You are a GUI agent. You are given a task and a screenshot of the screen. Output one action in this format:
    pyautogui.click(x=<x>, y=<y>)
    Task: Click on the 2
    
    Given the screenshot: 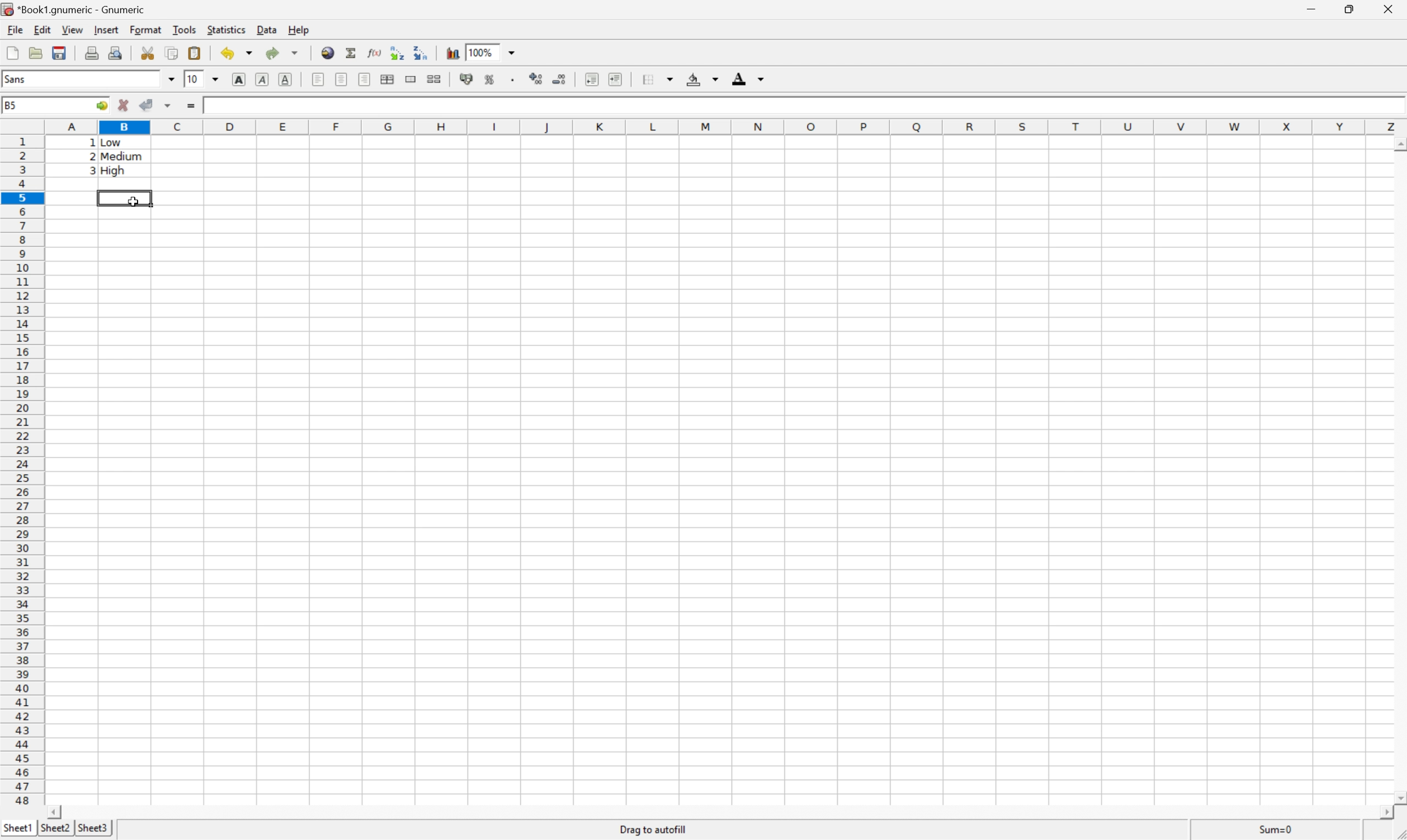 What is the action you would take?
    pyautogui.click(x=86, y=157)
    